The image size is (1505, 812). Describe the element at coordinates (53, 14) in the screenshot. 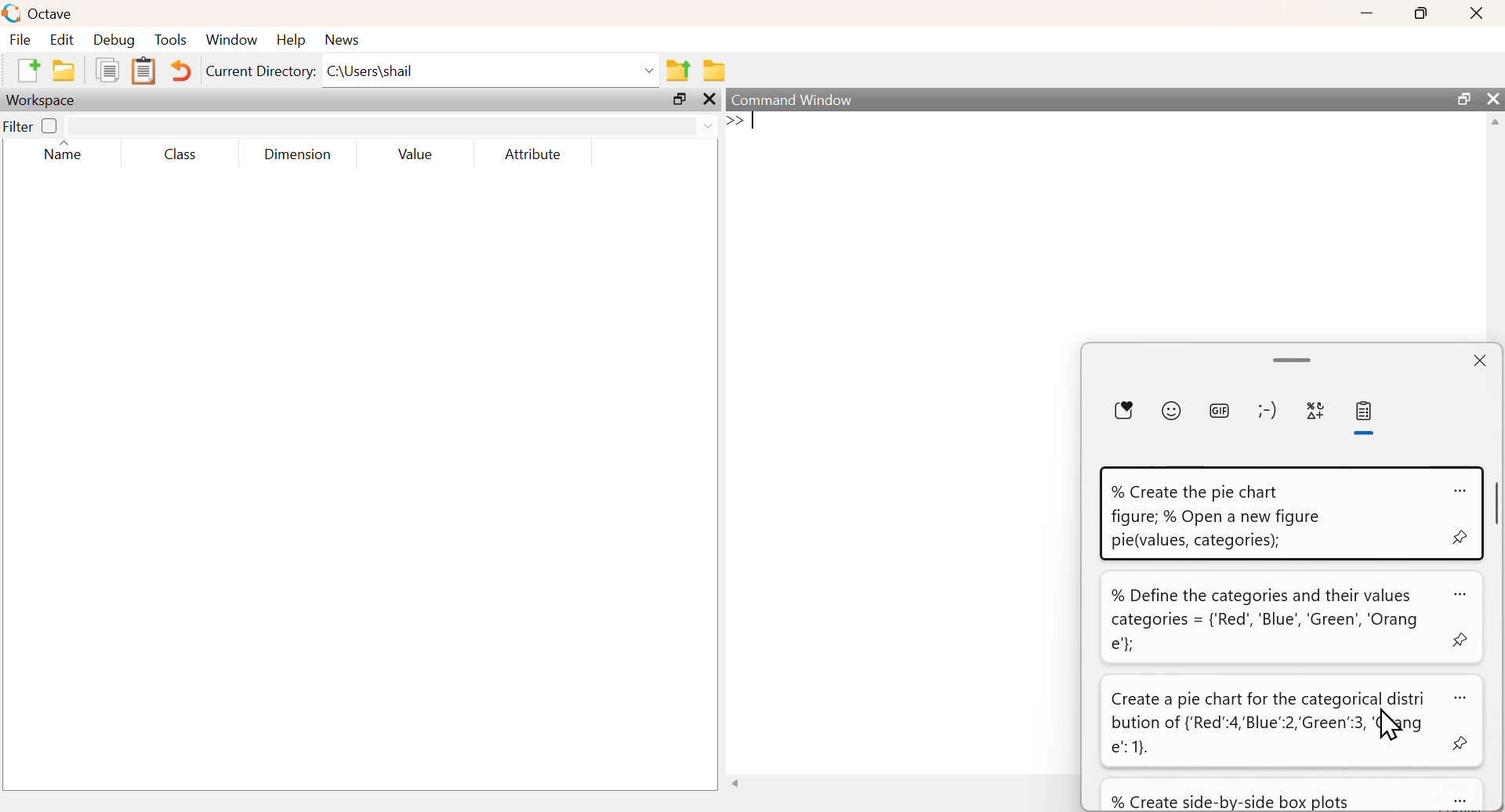

I see `Octave` at that location.